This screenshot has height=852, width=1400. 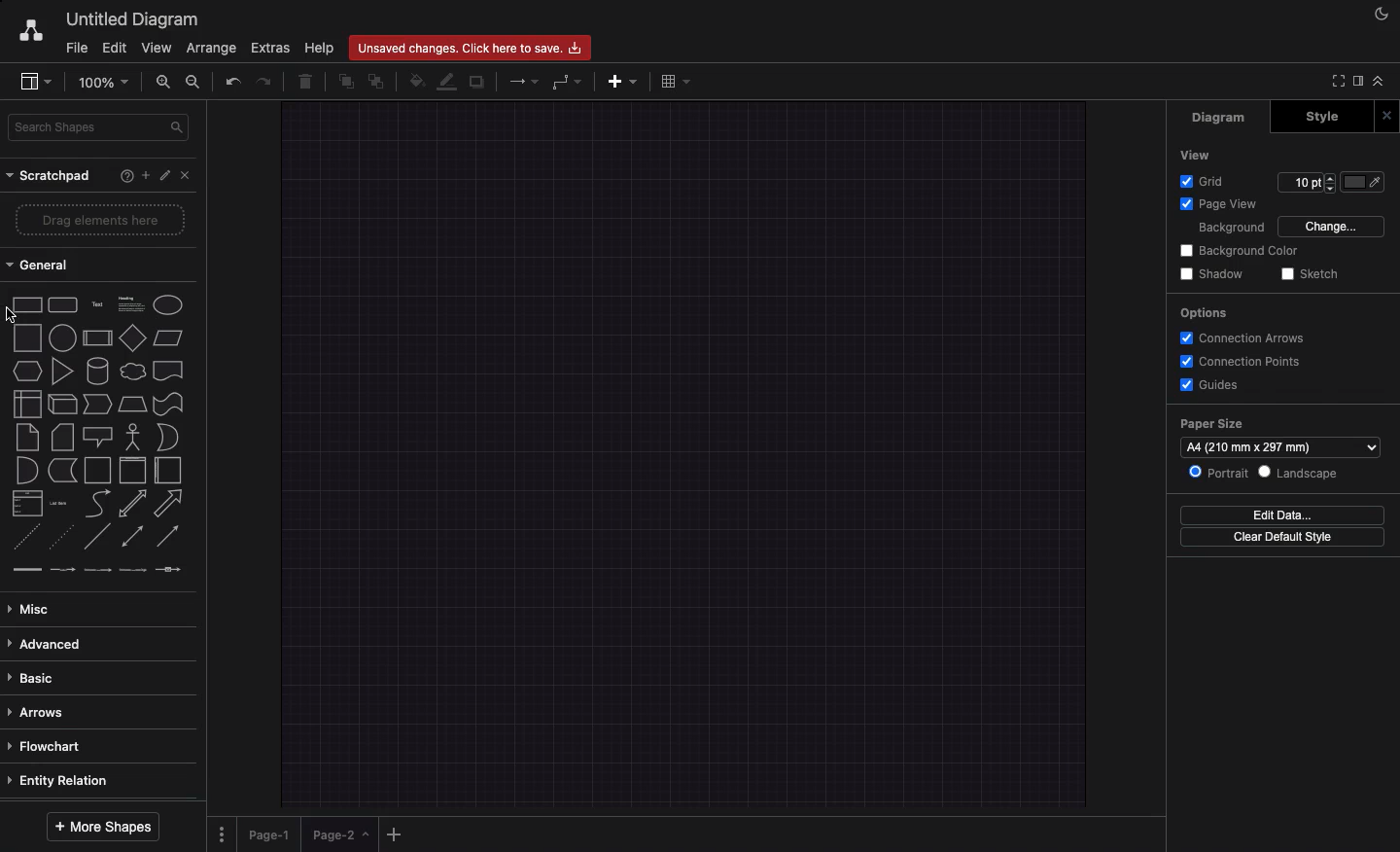 I want to click on actor, so click(x=133, y=436).